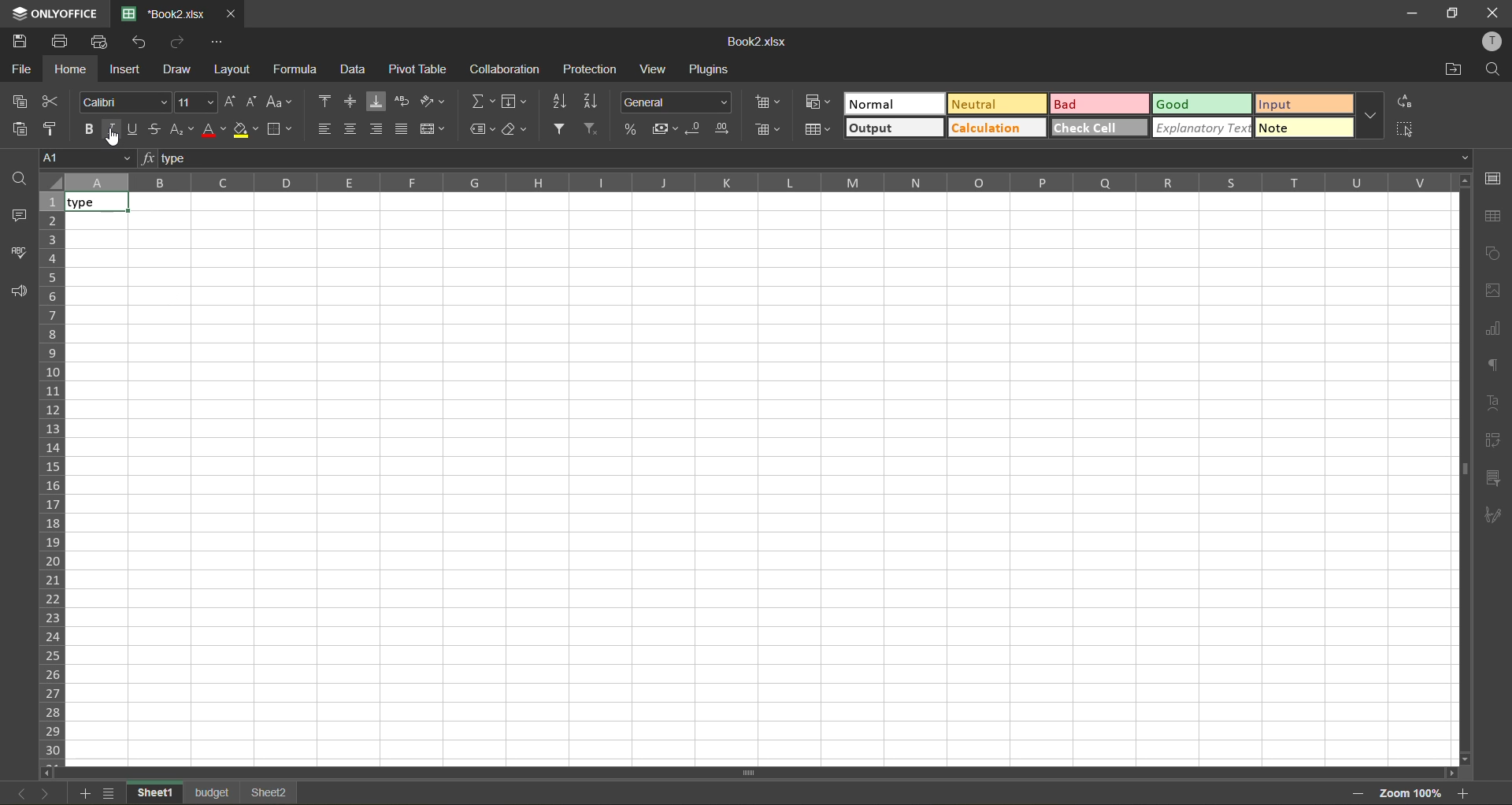 The width and height of the screenshot is (1512, 805). I want to click on zoom in, so click(1466, 792).